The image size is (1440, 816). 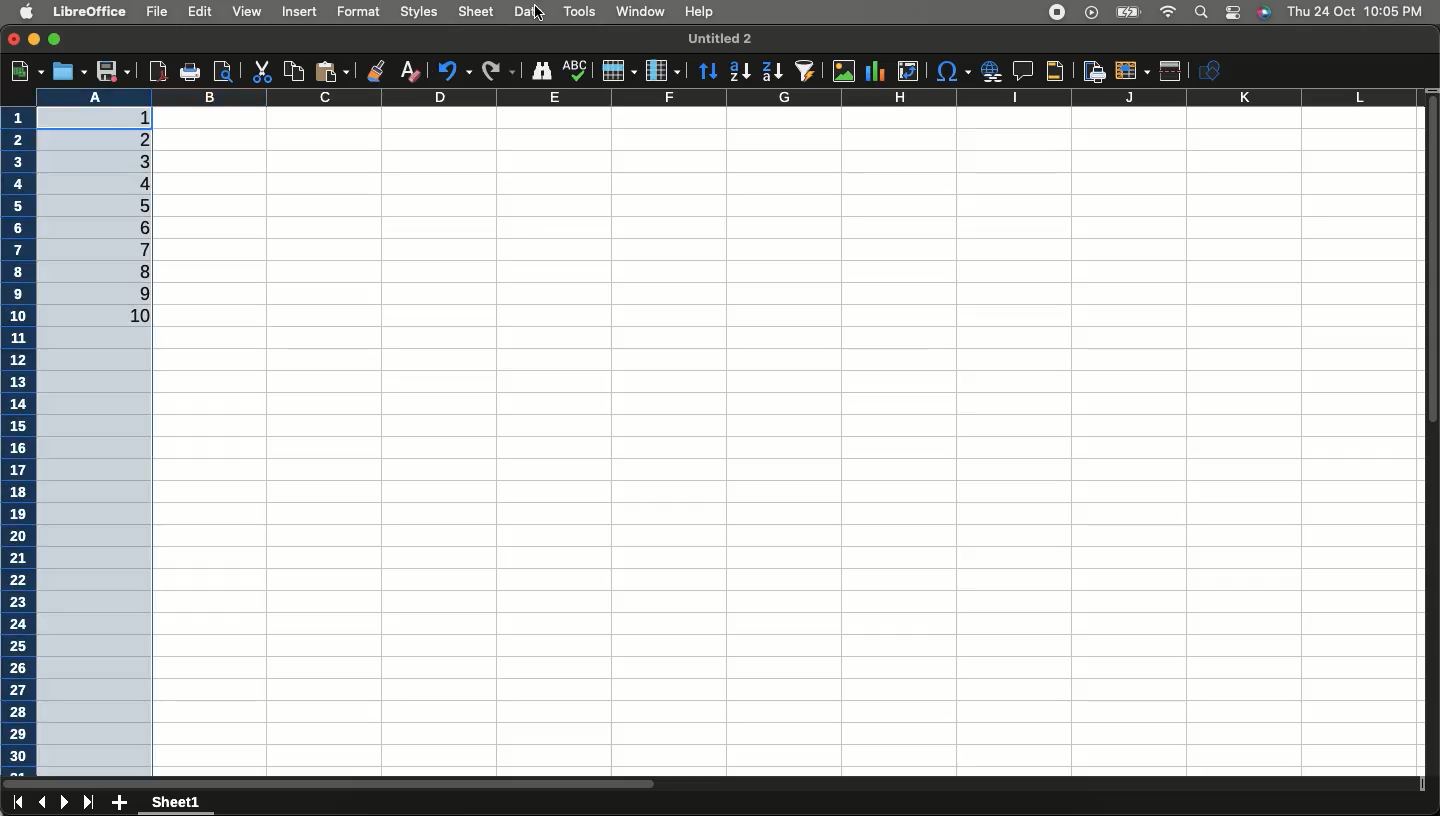 I want to click on View, so click(x=247, y=11).